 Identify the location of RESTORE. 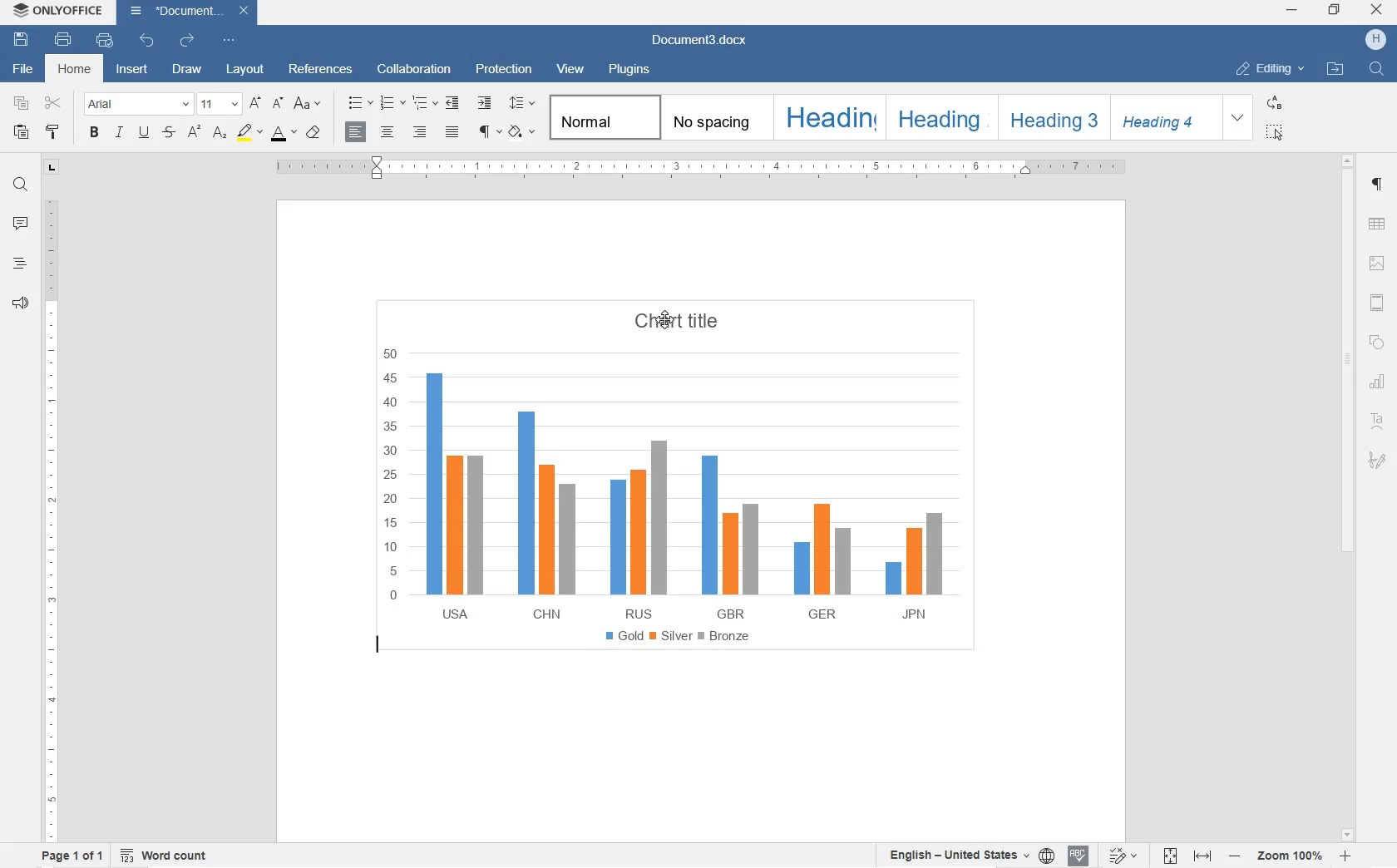
(1336, 11).